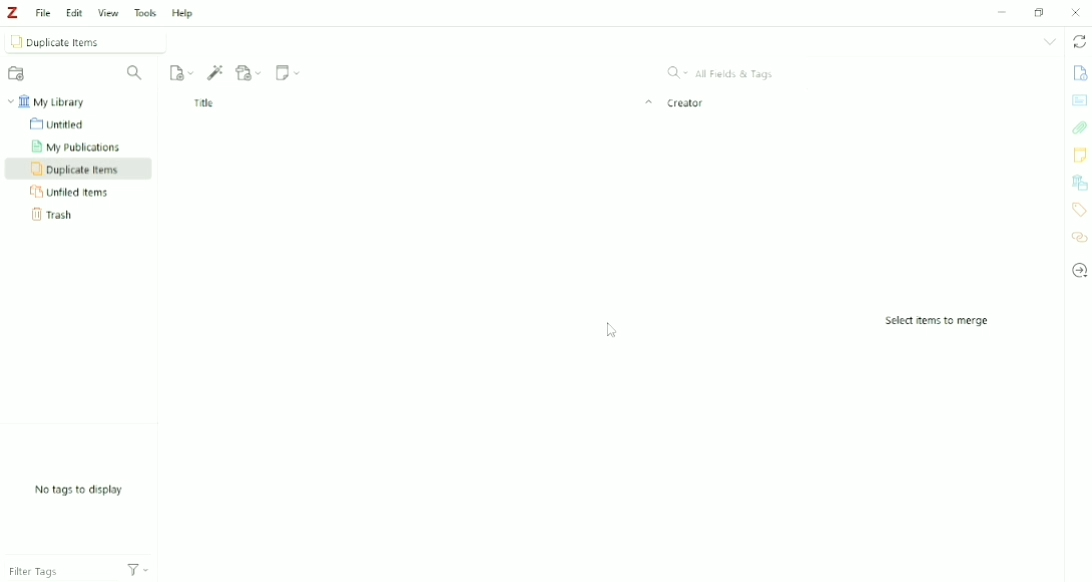 This screenshot has width=1092, height=582. Describe the element at coordinates (1075, 13) in the screenshot. I see `Close` at that location.